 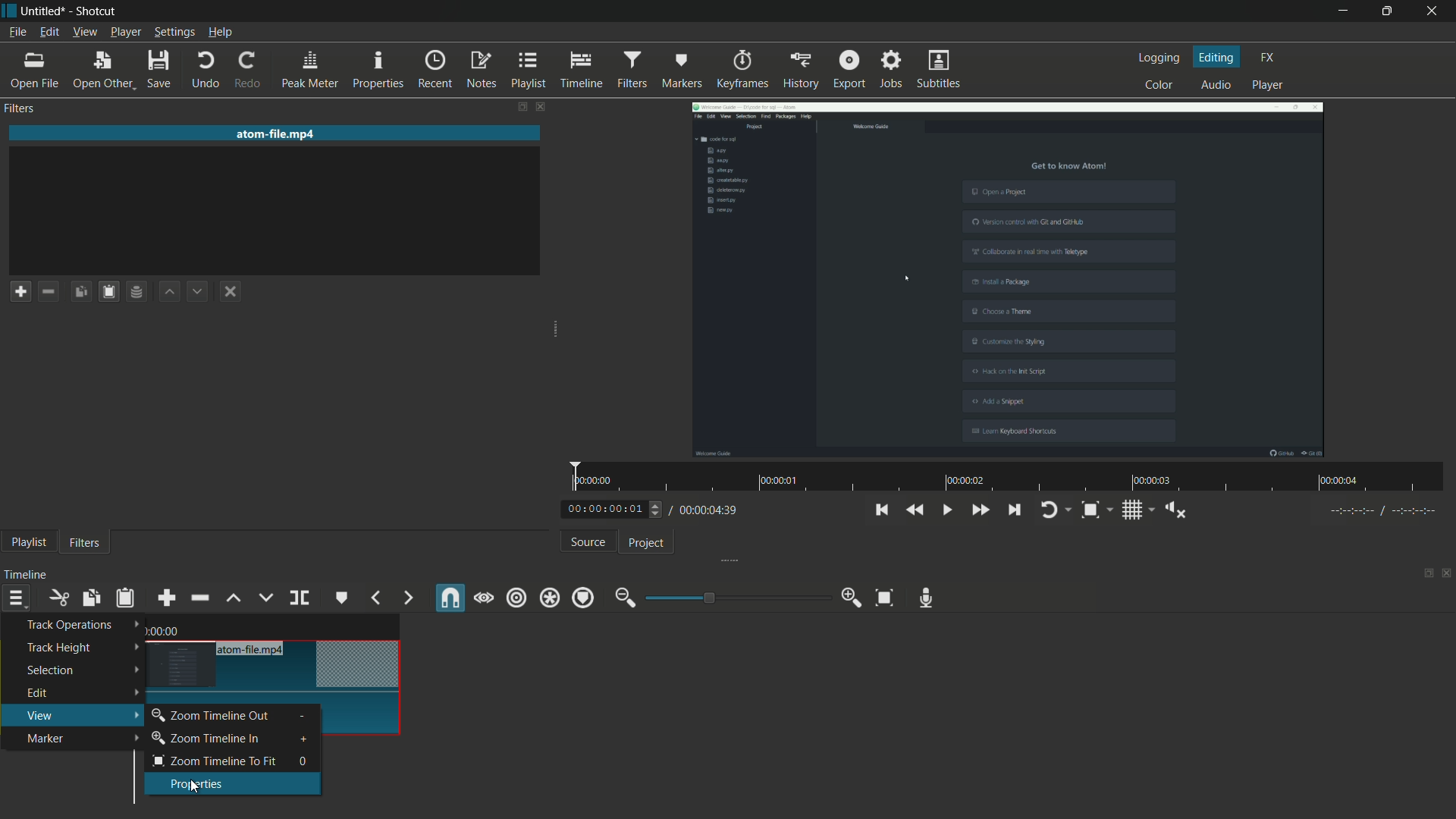 I want to click on track height, so click(x=81, y=648).